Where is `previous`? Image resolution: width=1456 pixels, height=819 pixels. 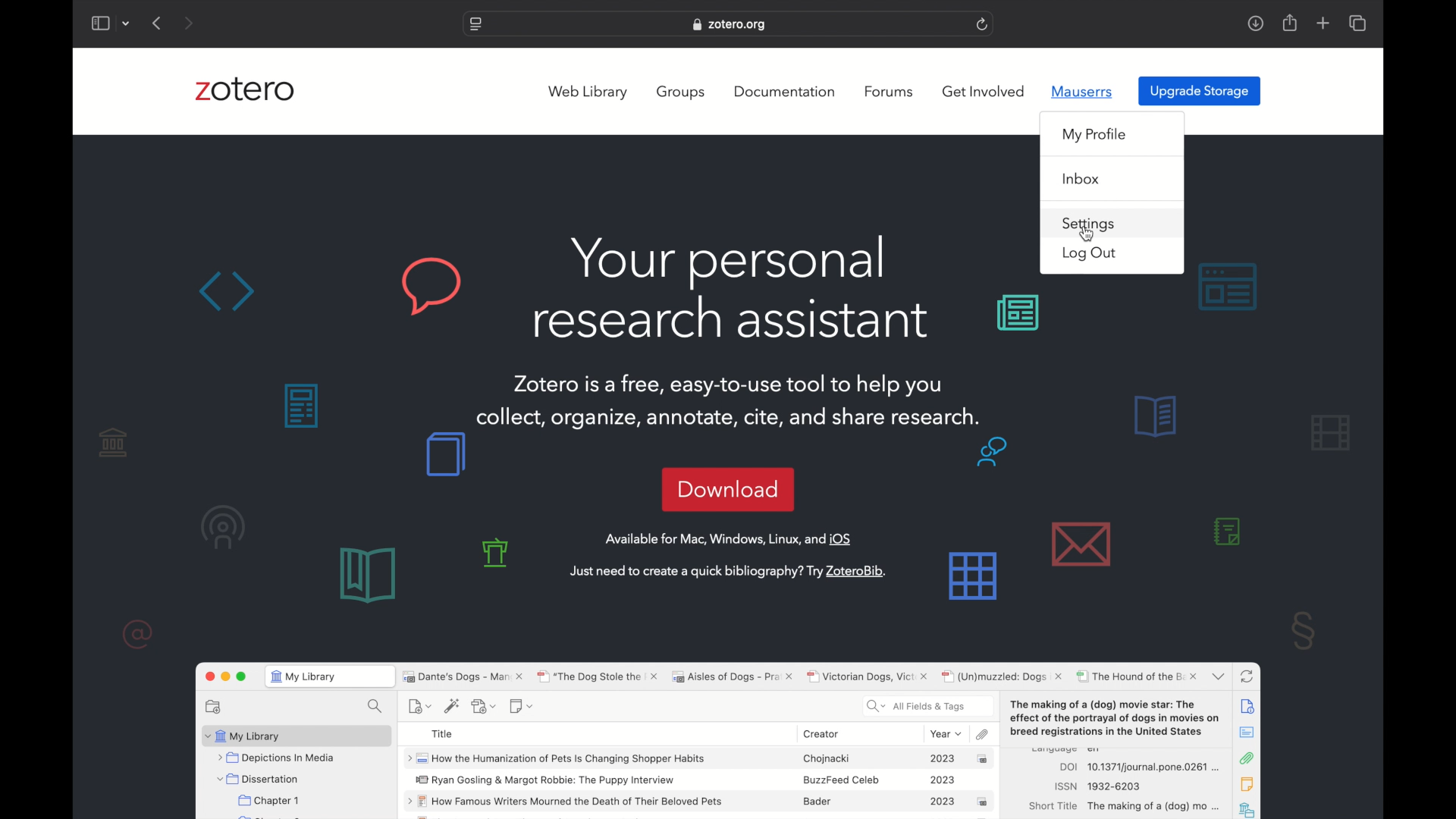 previous is located at coordinates (158, 24).